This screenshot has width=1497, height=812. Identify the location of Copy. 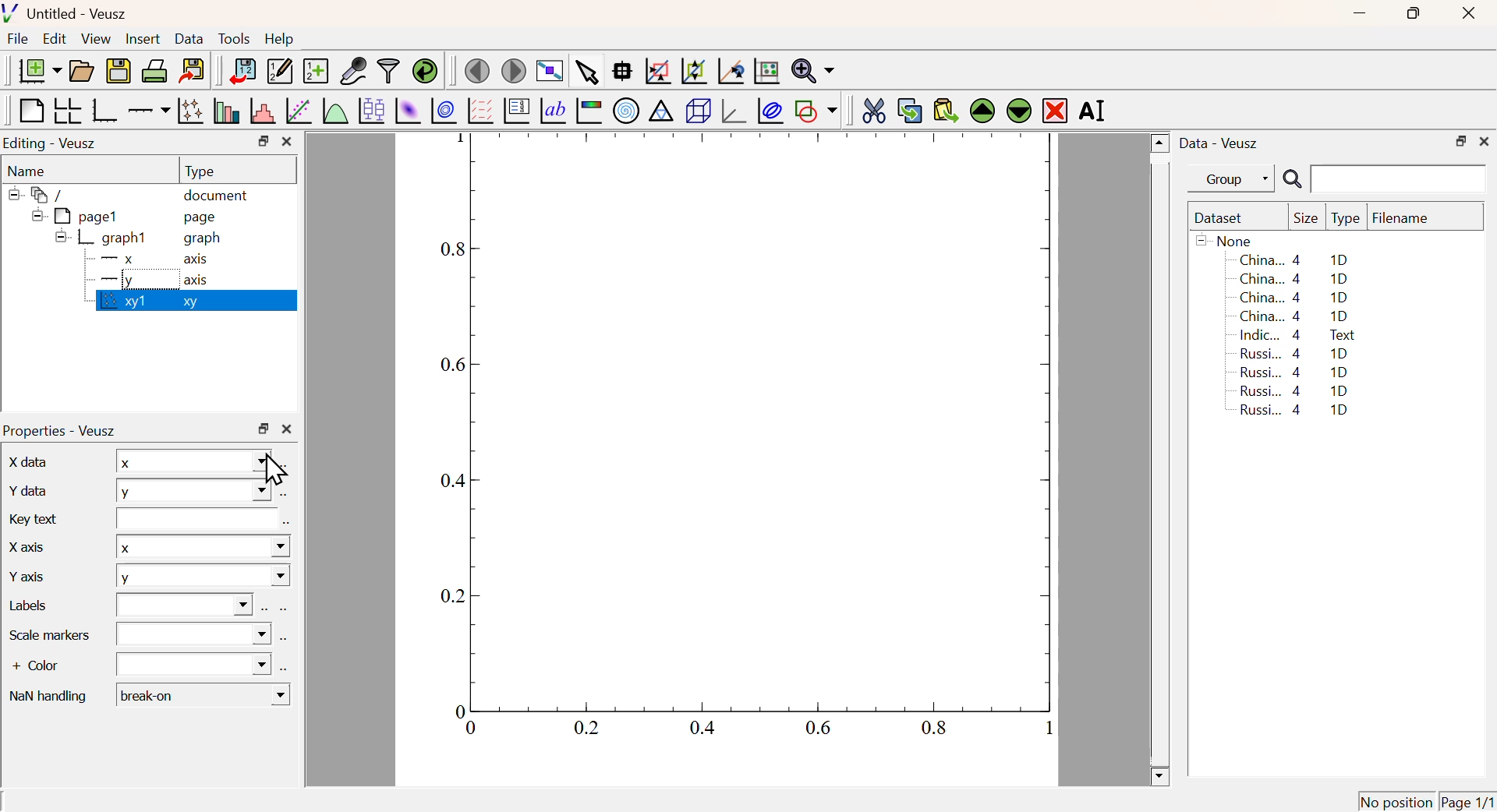
(909, 111).